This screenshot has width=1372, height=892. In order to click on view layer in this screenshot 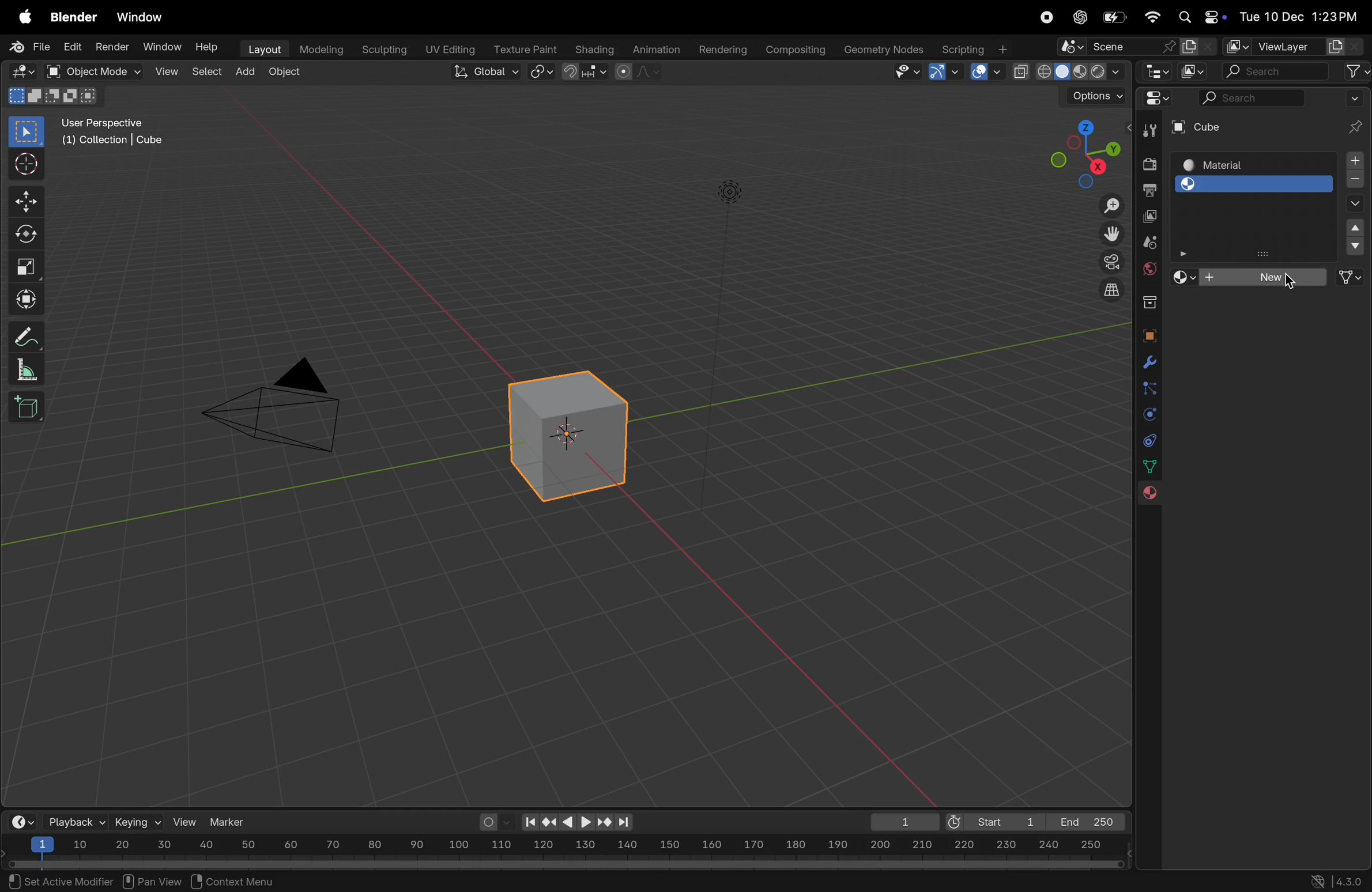, I will do `click(1151, 217)`.